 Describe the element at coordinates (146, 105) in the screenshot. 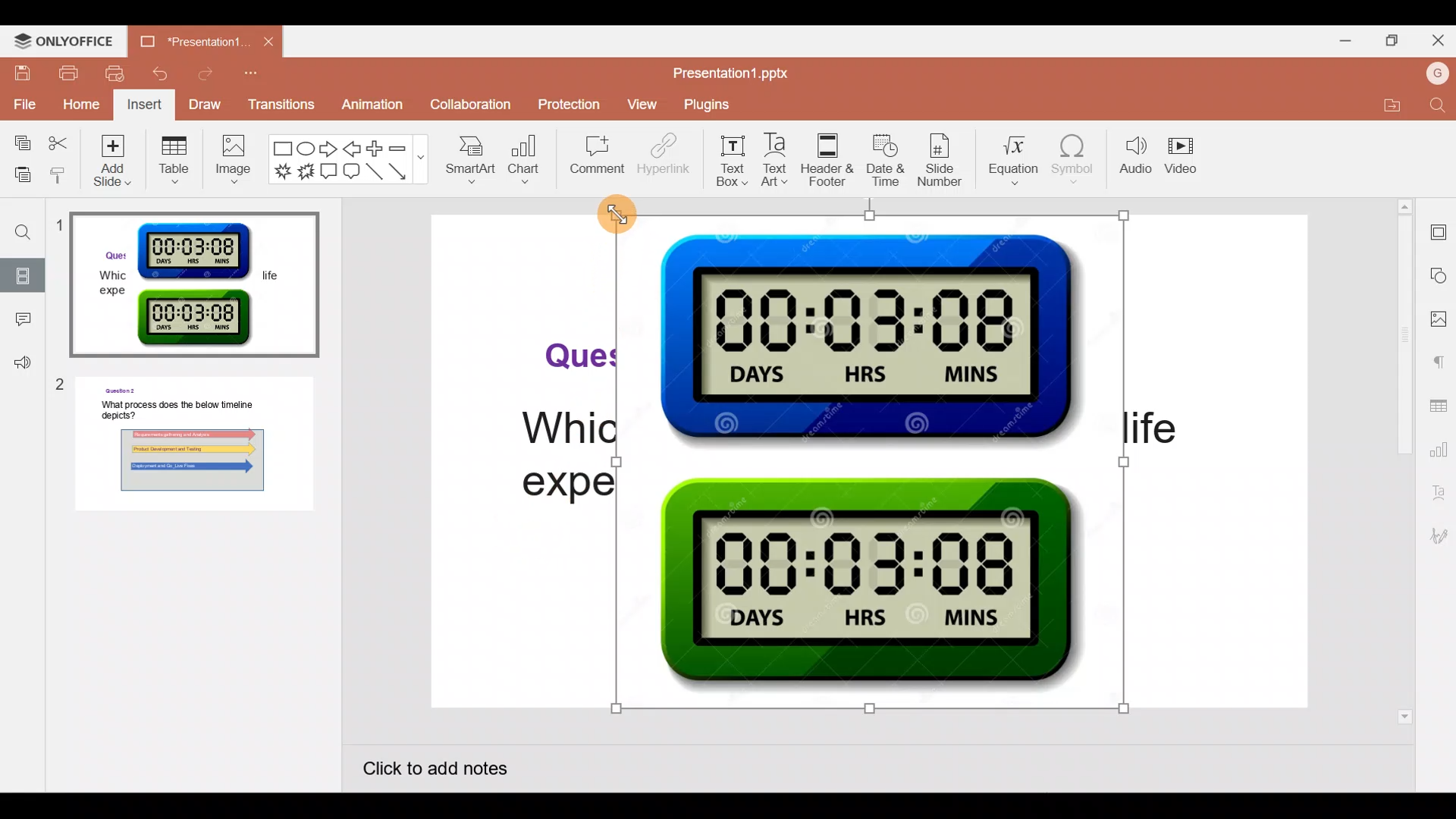

I see `Insert` at that location.